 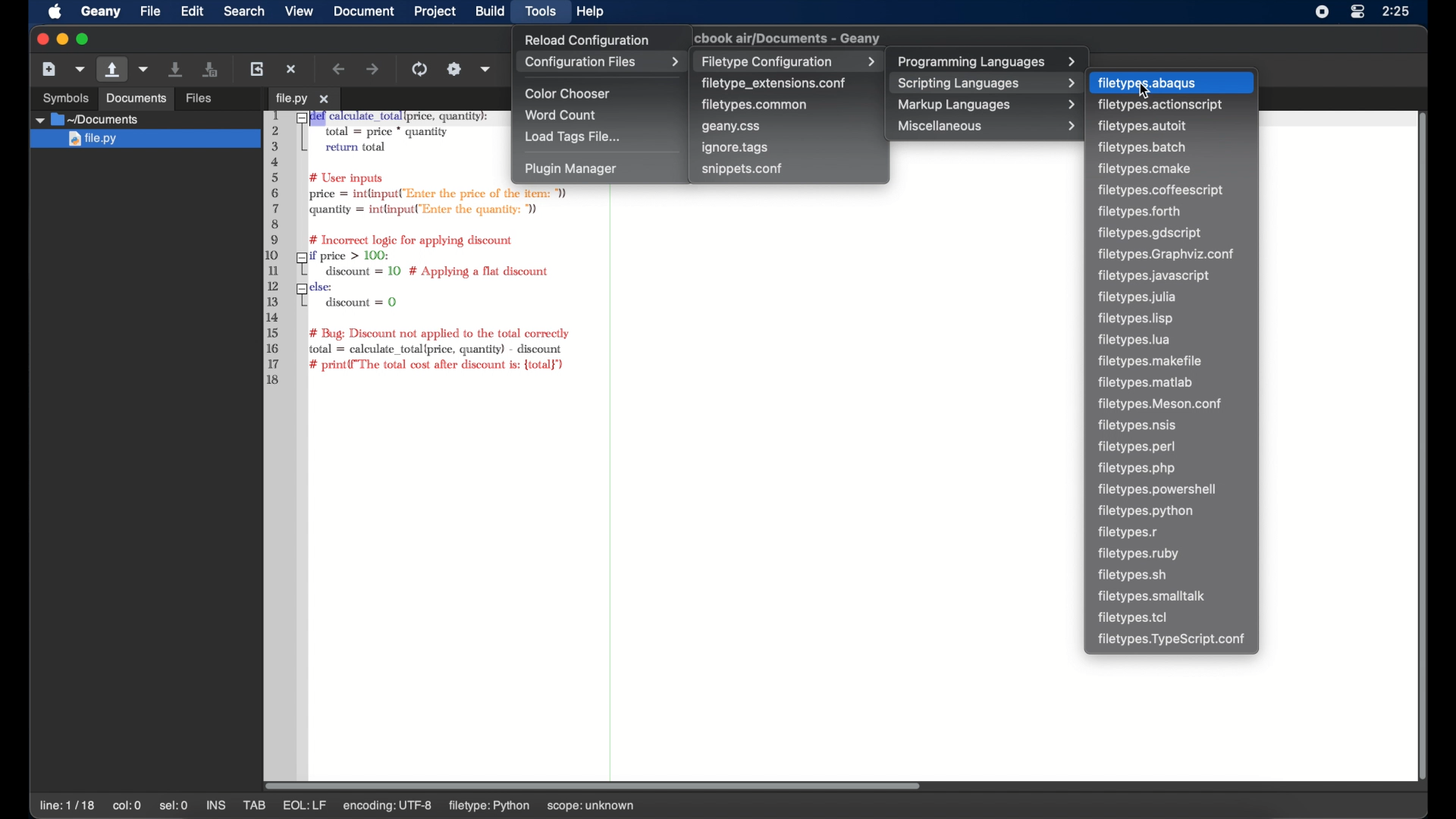 What do you see at coordinates (486, 69) in the screenshot?
I see `choose more build actions` at bounding box center [486, 69].